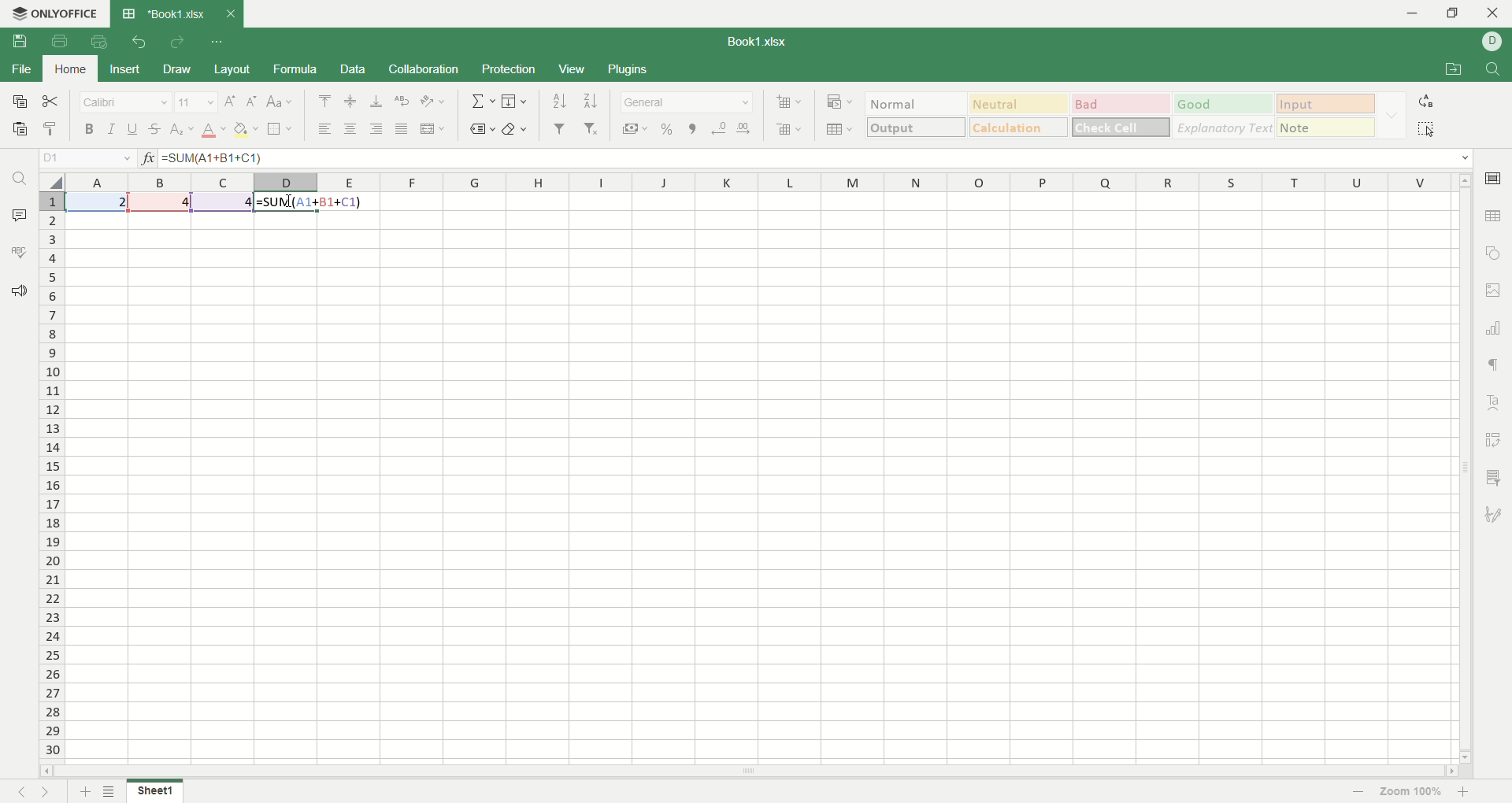  Describe the element at coordinates (61, 41) in the screenshot. I see `print` at that location.